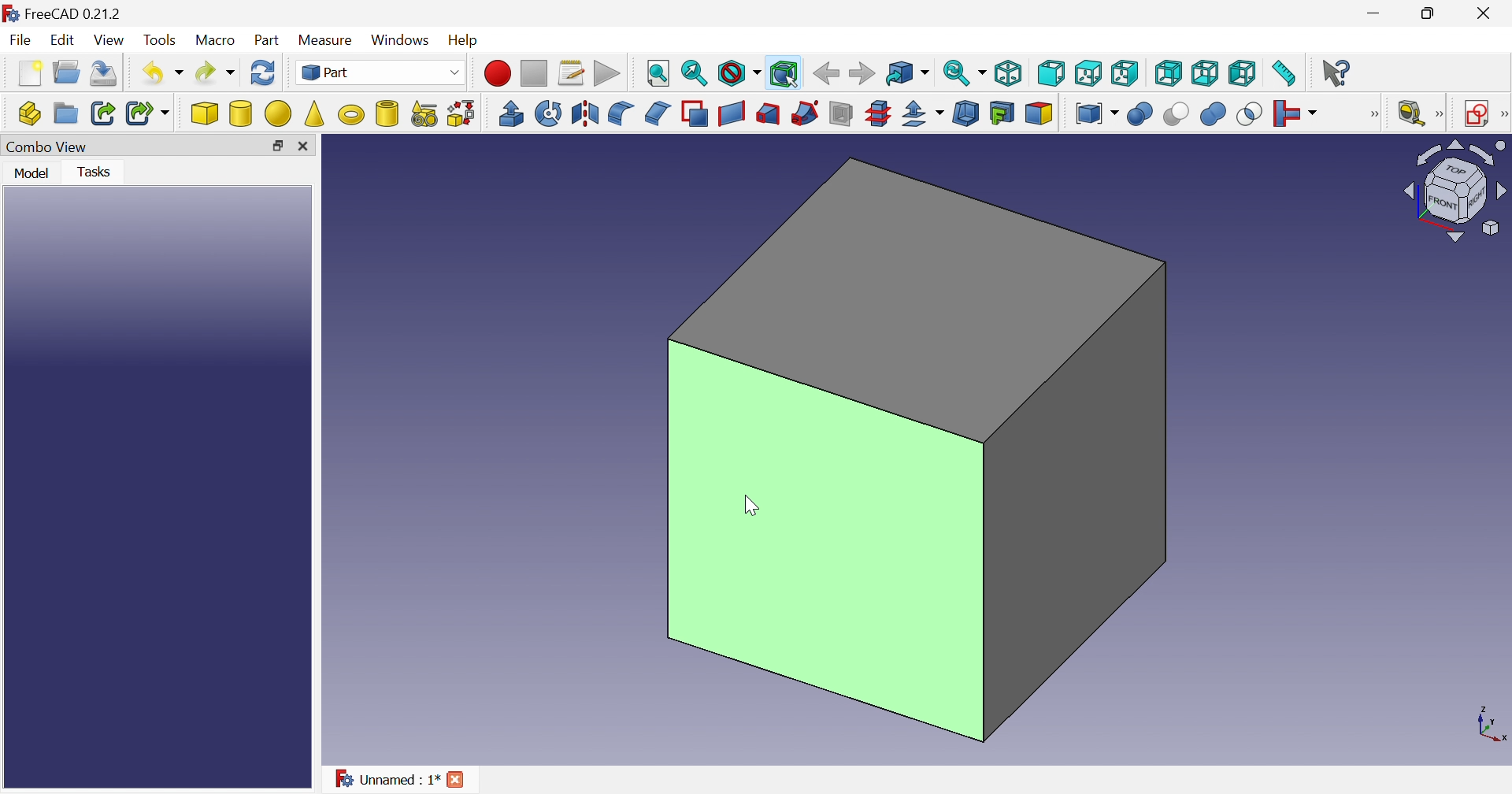 The height and width of the screenshot is (794, 1512). I want to click on Offset:, so click(923, 114).